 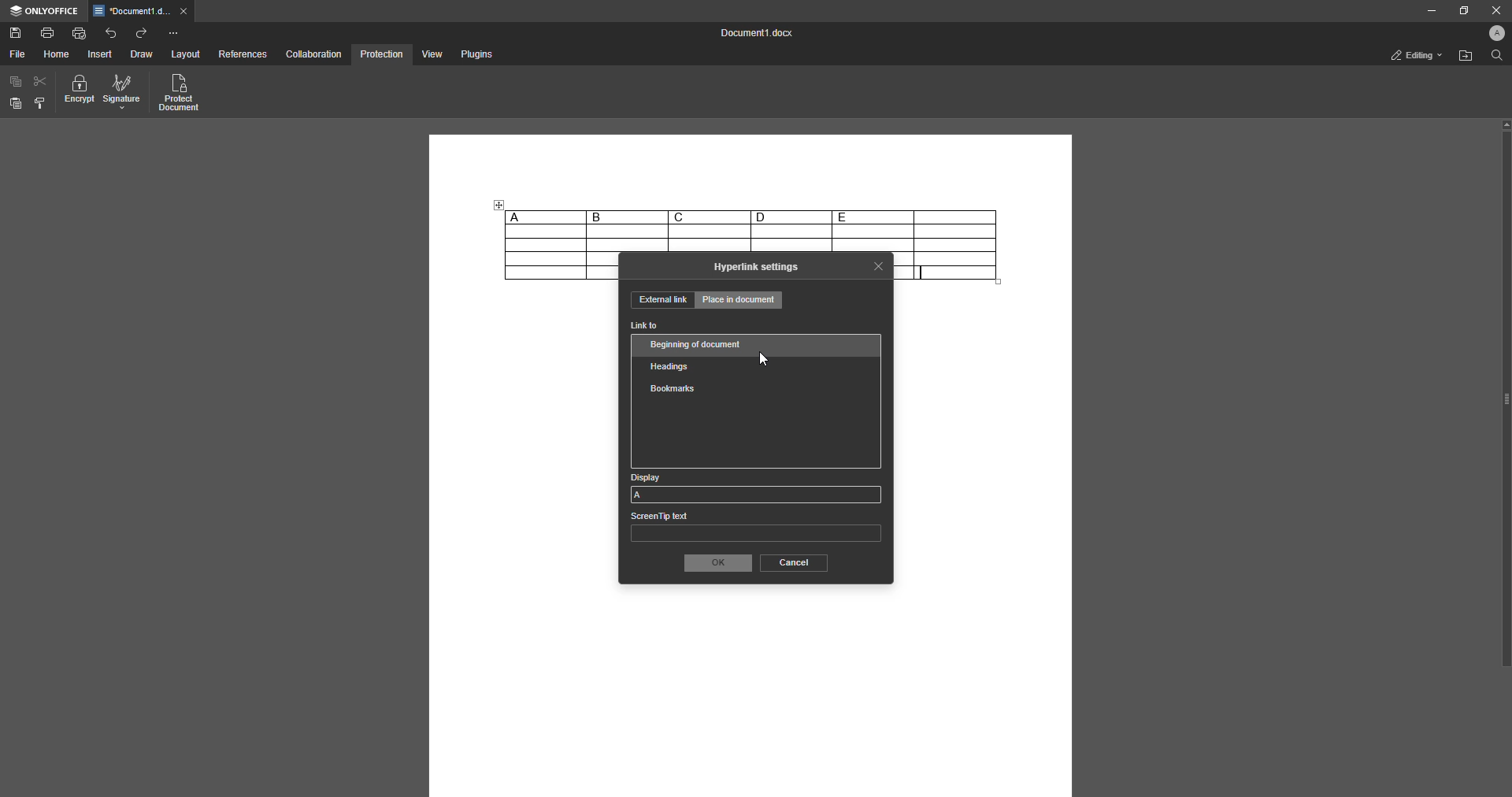 What do you see at coordinates (48, 32) in the screenshot?
I see `Print` at bounding box center [48, 32].